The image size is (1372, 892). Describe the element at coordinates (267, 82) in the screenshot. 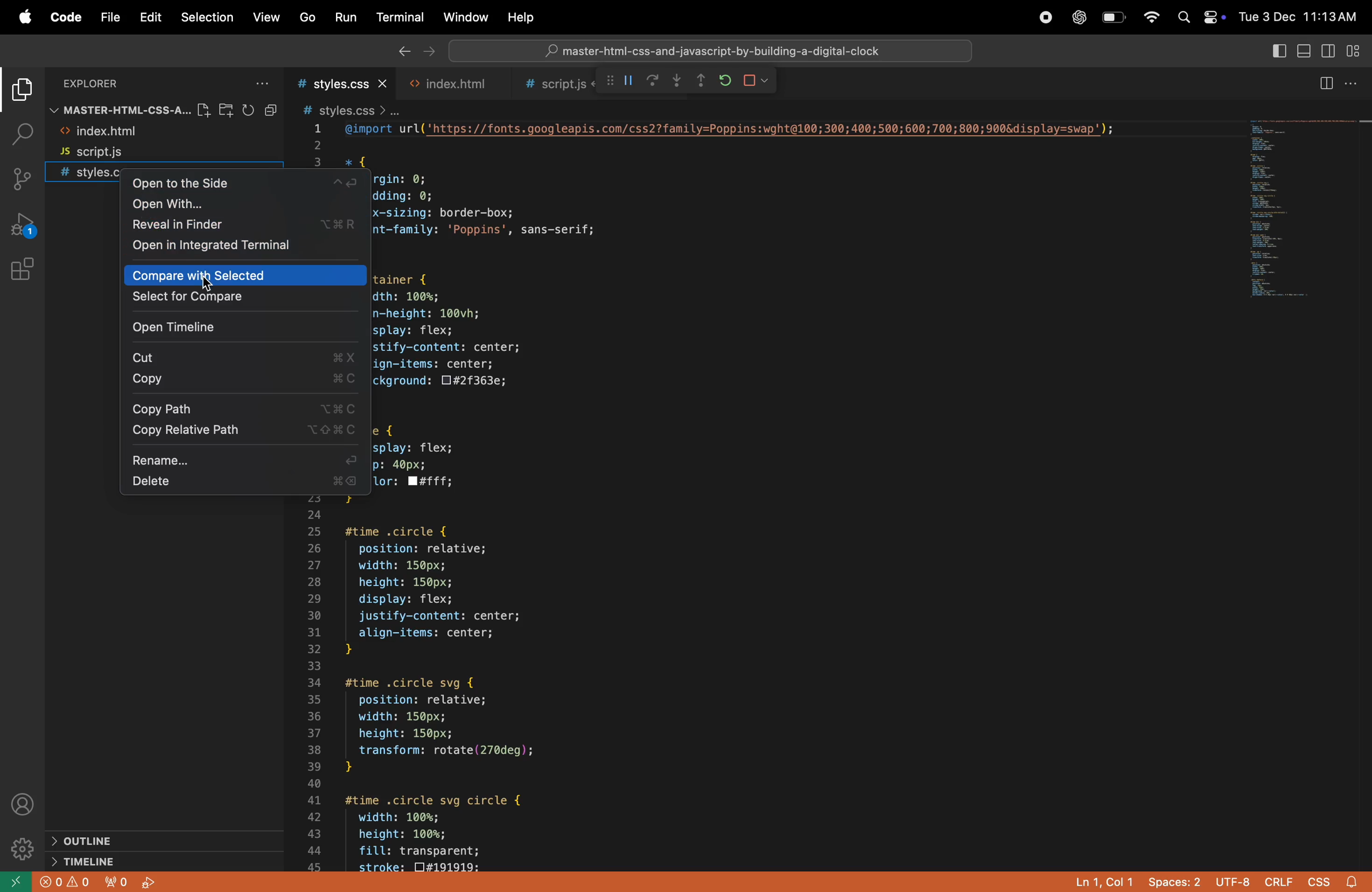

I see `options` at that location.